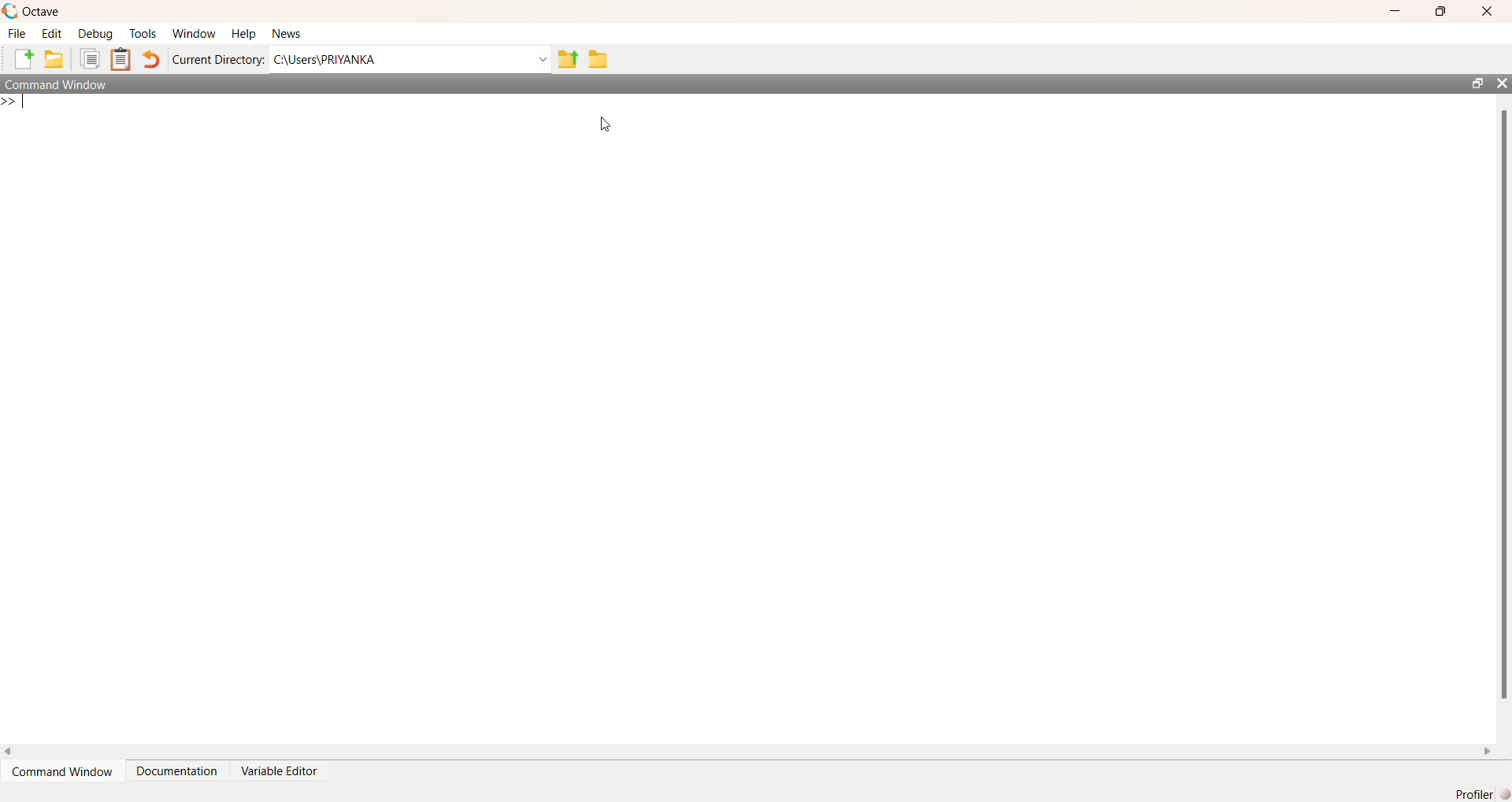 This screenshot has width=1512, height=802. What do you see at coordinates (608, 125) in the screenshot?
I see `cursor` at bounding box center [608, 125].